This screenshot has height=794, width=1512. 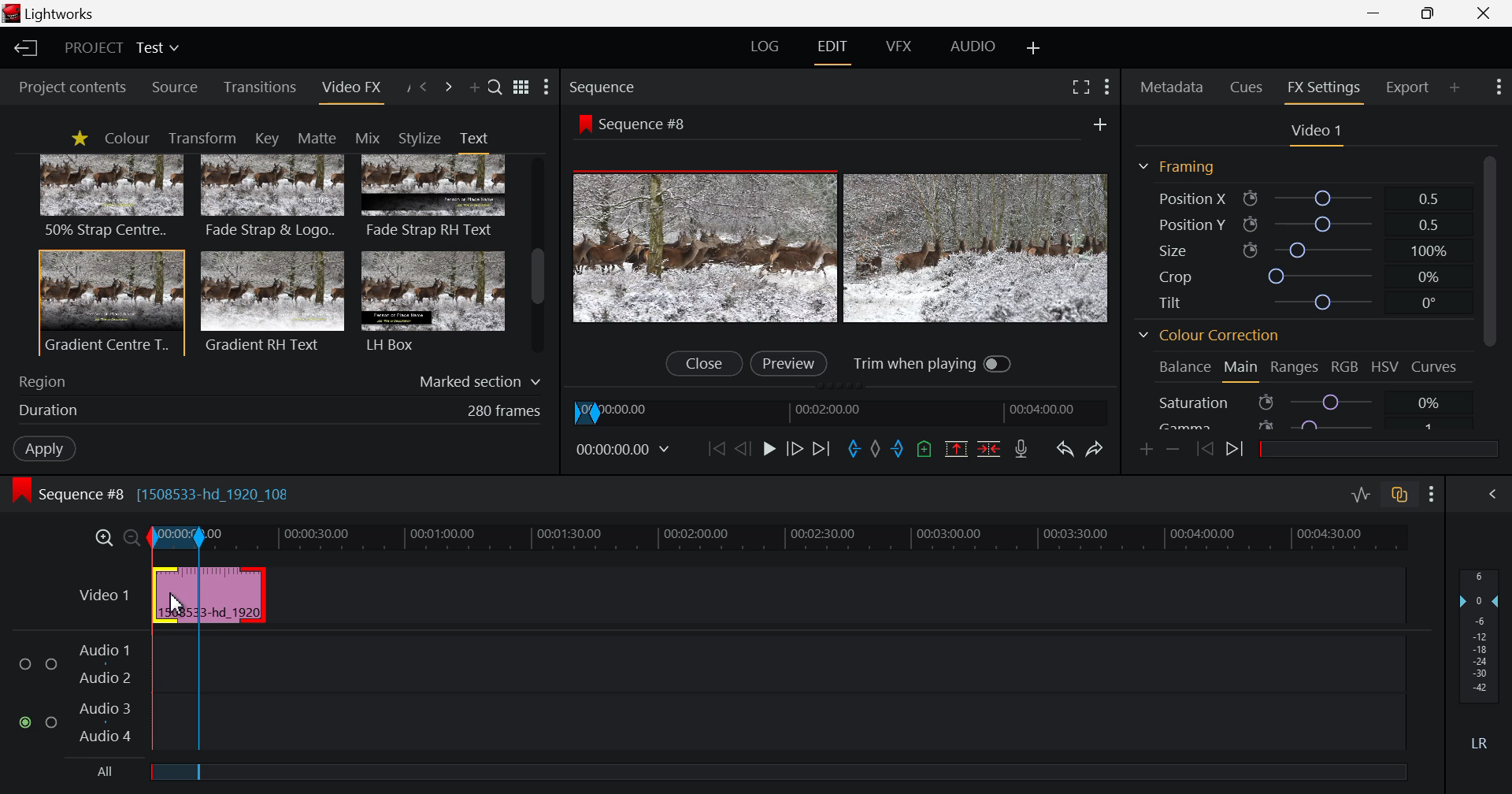 I want to click on Timeline Zoom Out, so click(x=132, y=534).